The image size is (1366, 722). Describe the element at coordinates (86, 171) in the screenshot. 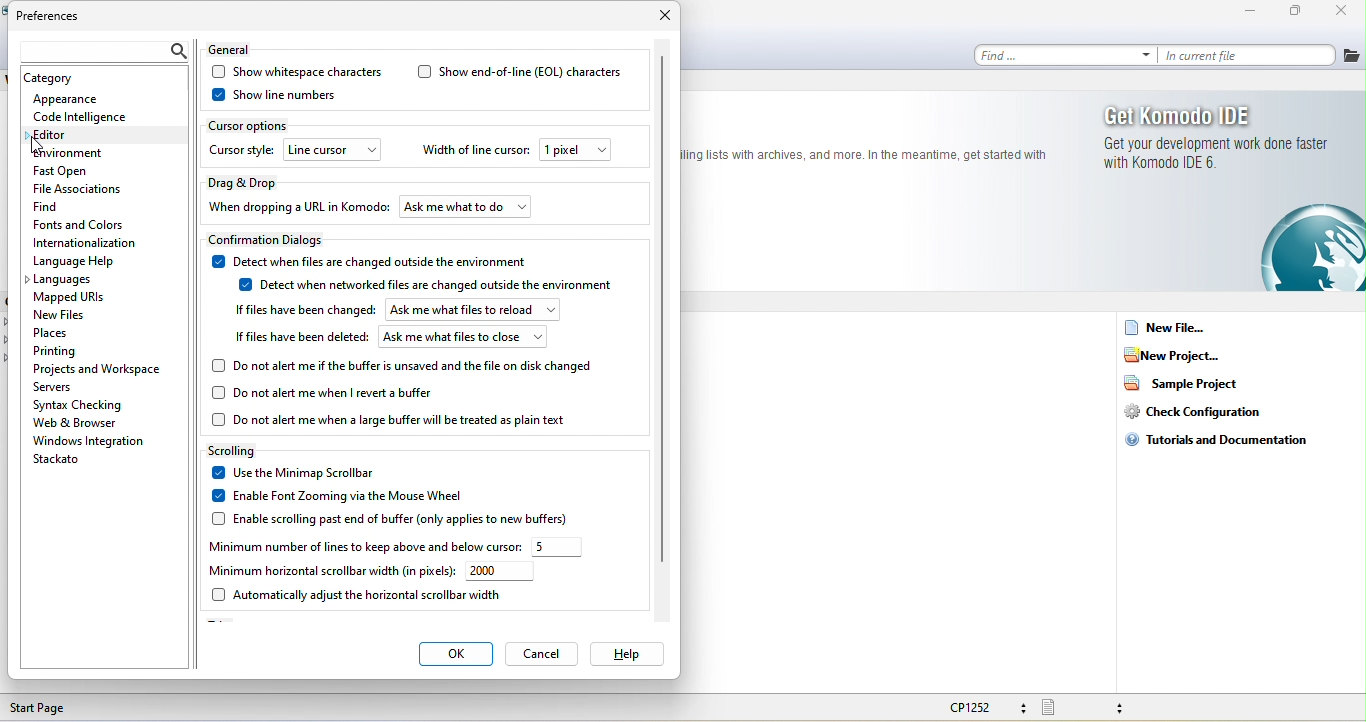

I see `fast open` at that location.